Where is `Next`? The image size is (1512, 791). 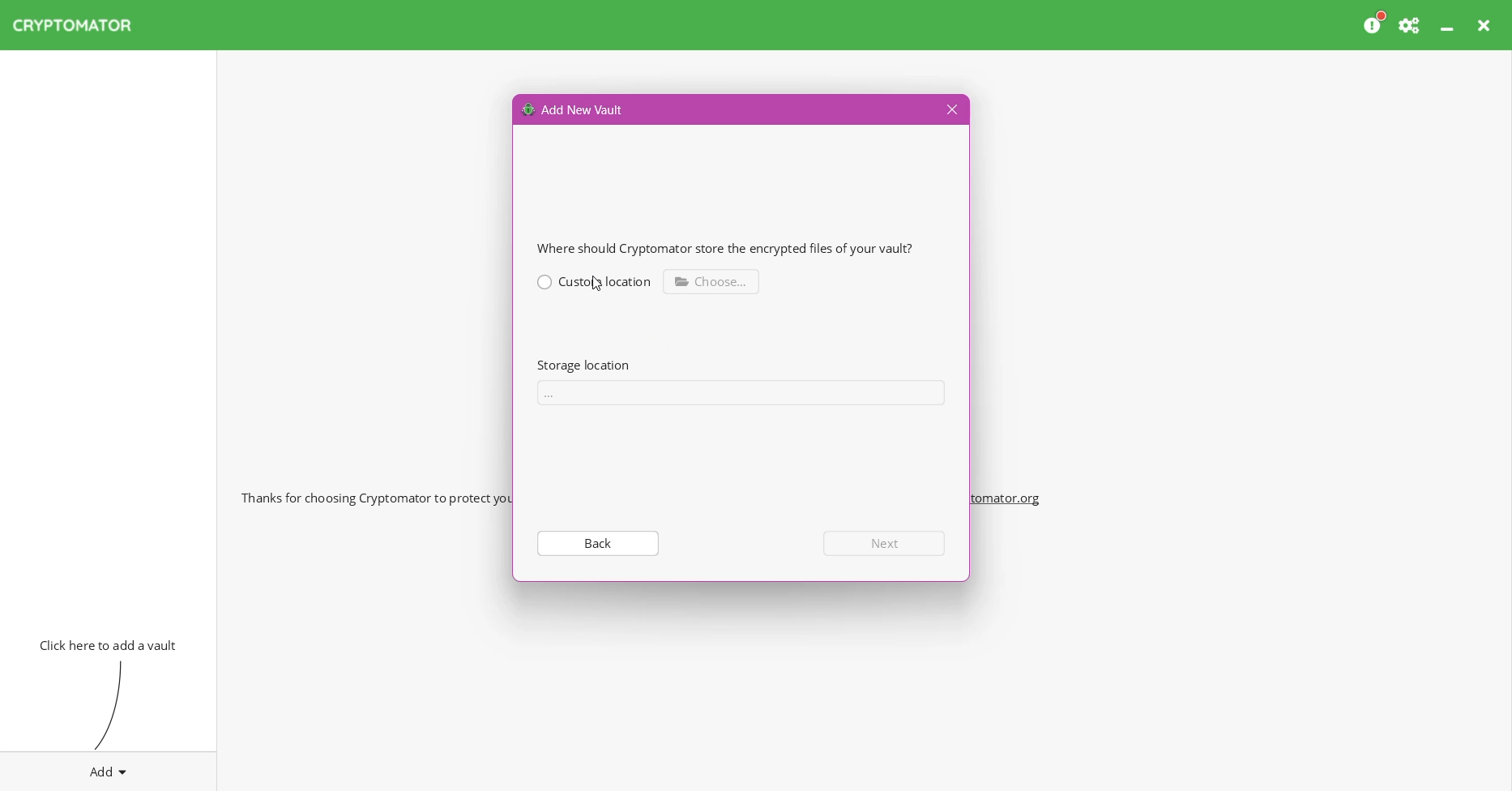
Next is located at coordinates (886, 543).